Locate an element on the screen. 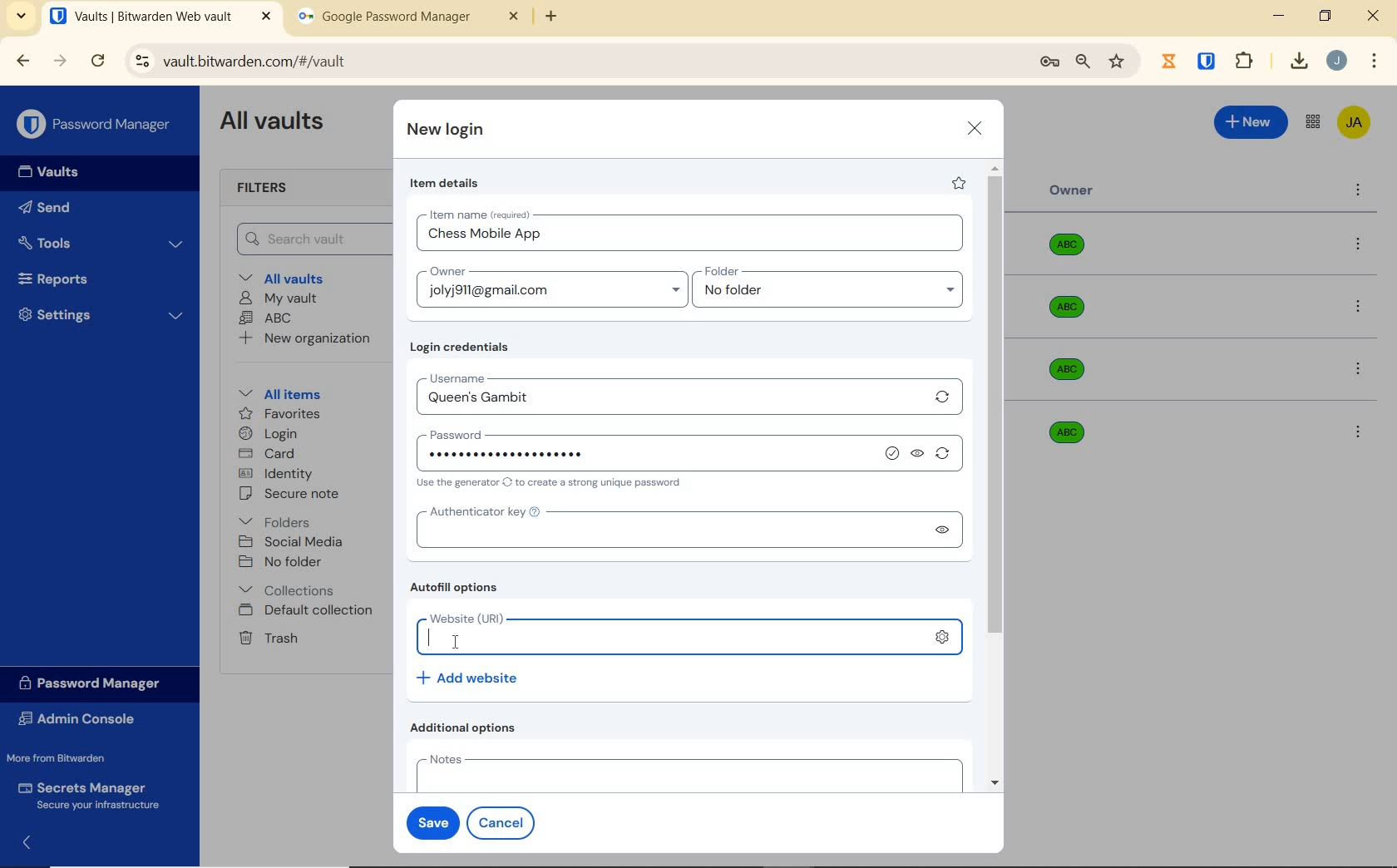 This screenshot has height=868, width=1397. All Vaults is located at coordinates (276, 123).